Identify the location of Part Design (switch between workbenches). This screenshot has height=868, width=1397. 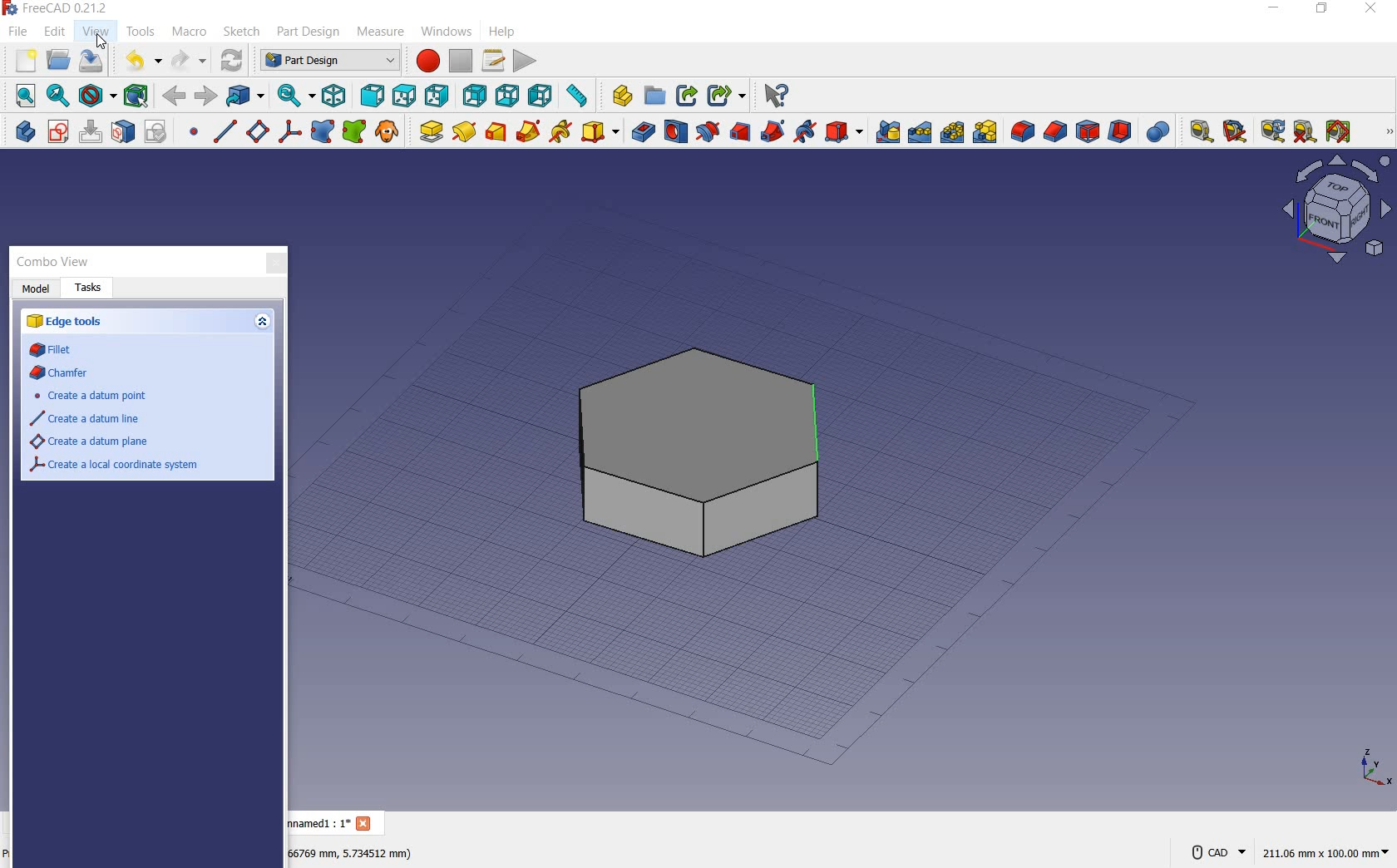
(328, 61).